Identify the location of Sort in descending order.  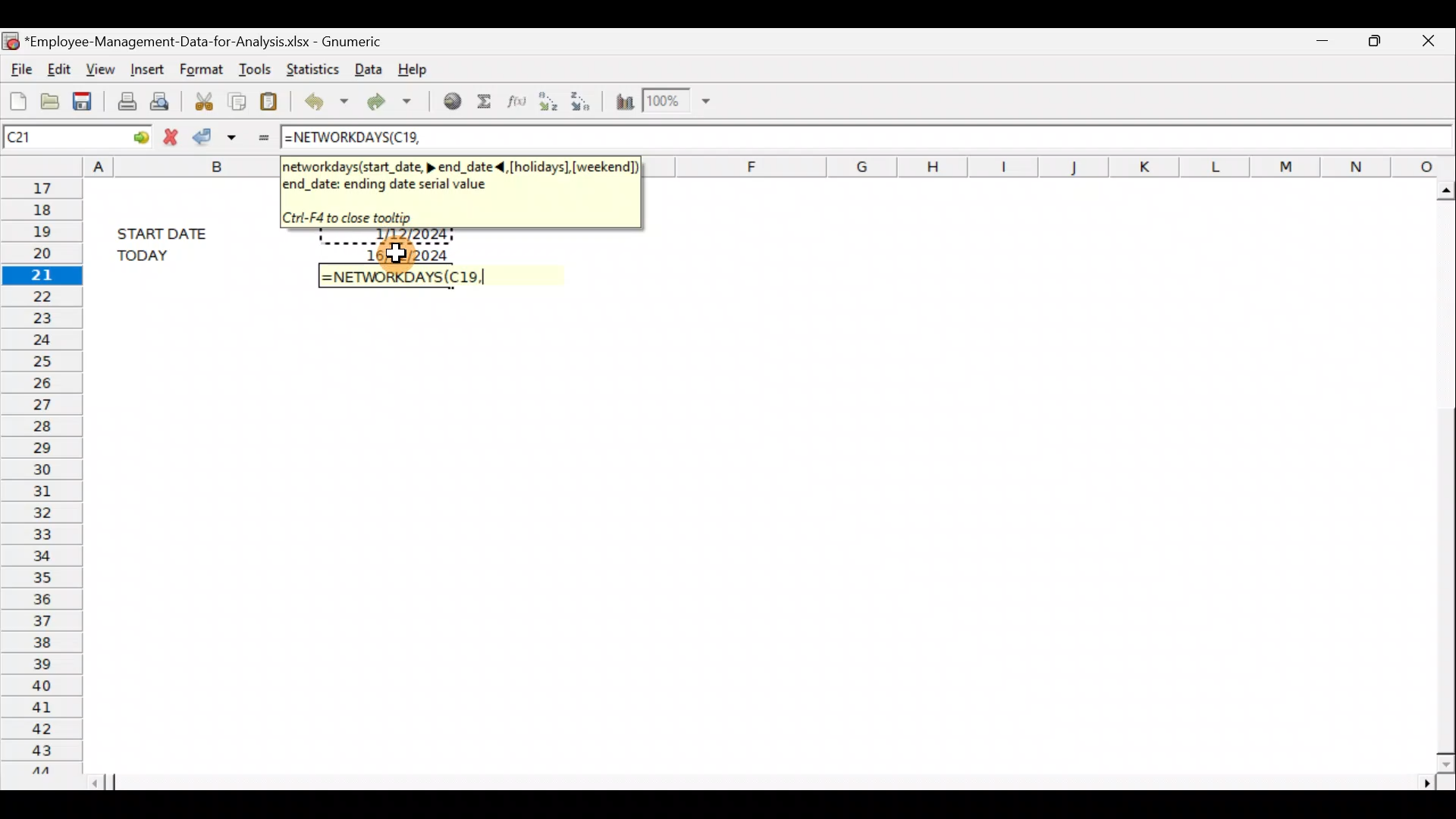
(584, 101).